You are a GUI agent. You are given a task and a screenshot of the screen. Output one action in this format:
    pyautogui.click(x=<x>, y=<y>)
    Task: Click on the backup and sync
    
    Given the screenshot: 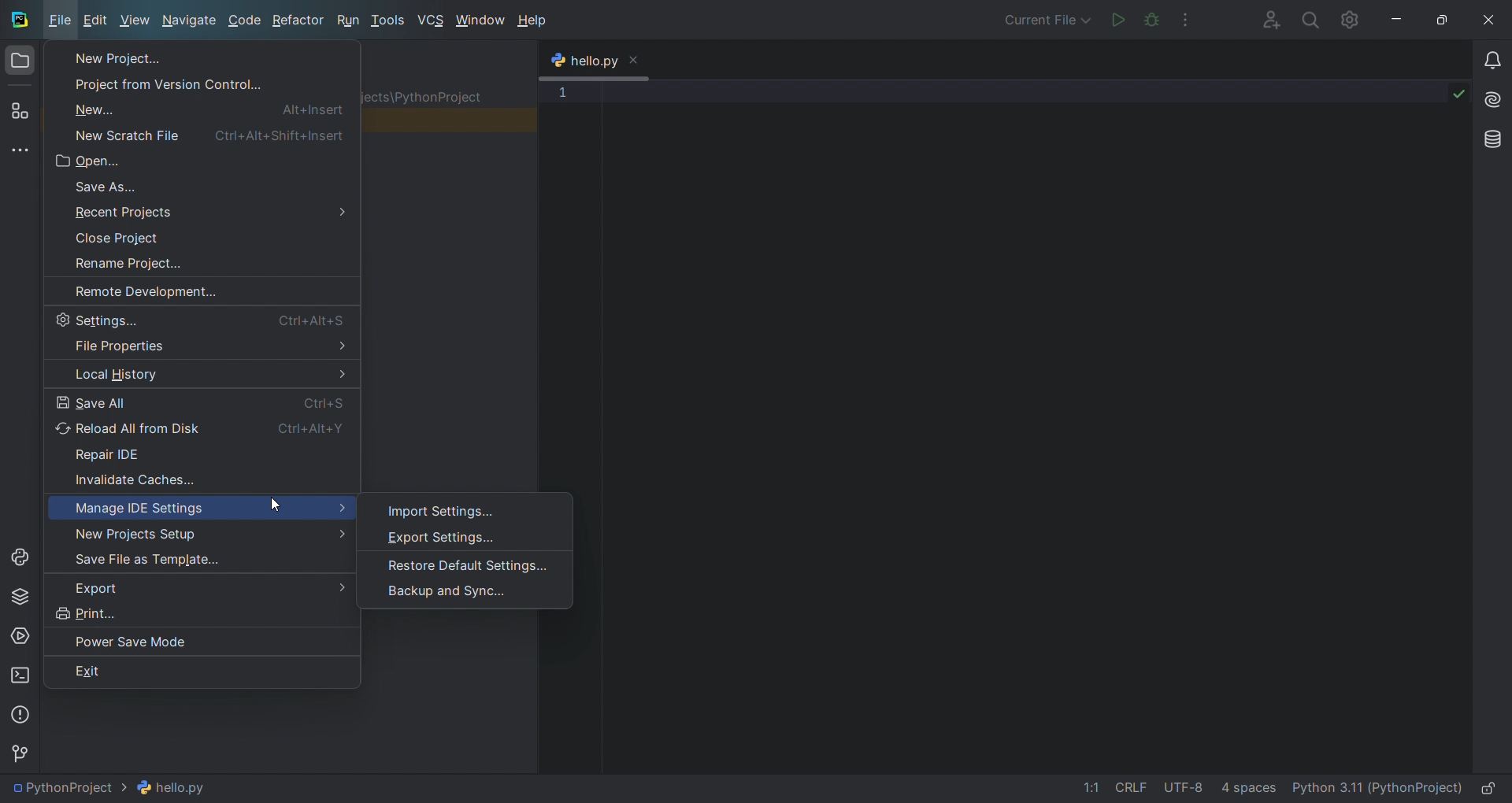 What is the action you would take?
    pyautogui.click(x=444, y=594)
    